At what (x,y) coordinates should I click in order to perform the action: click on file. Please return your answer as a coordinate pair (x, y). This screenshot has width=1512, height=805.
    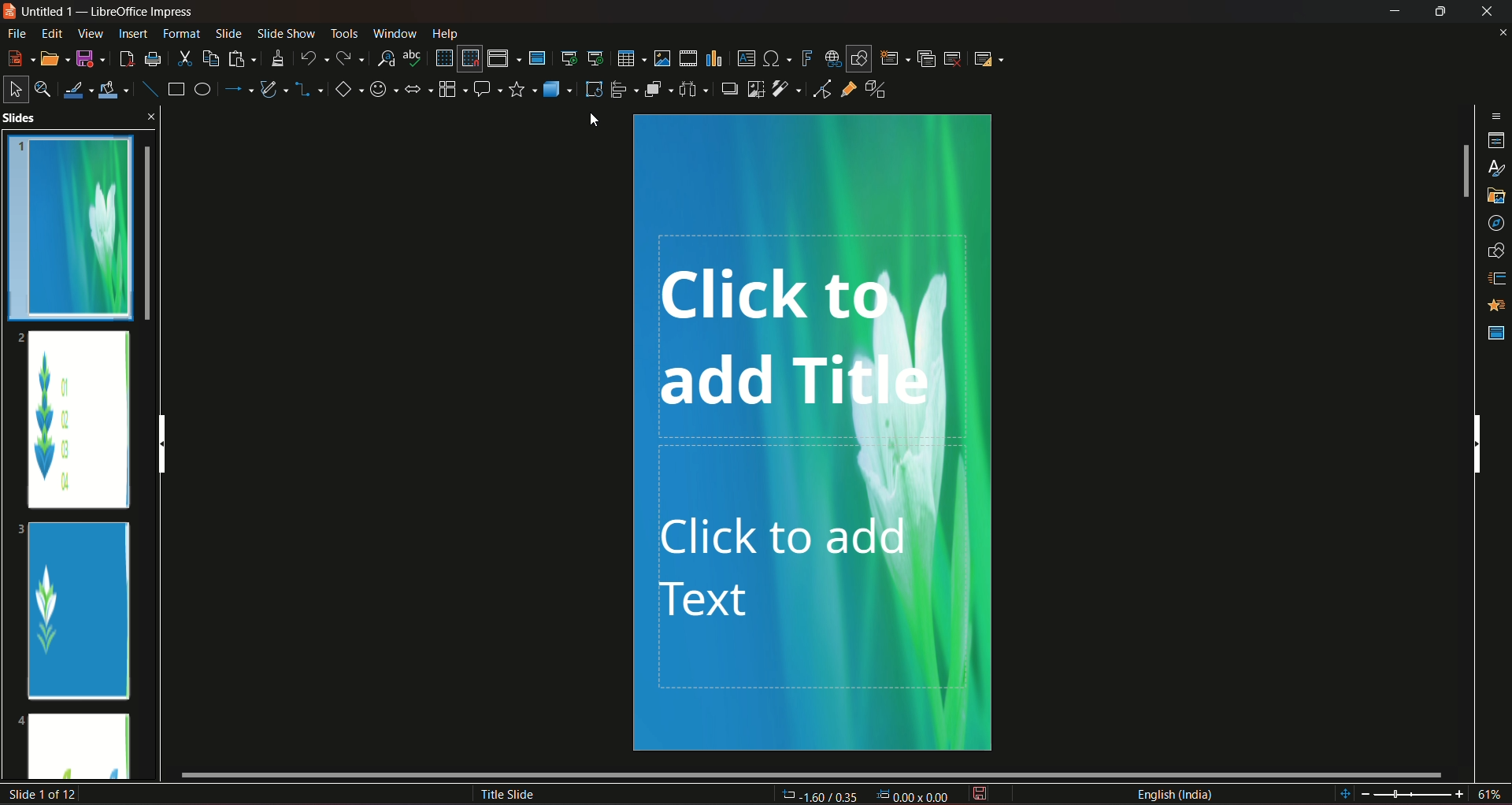
    Looking at the image, I should click on (18, 33).